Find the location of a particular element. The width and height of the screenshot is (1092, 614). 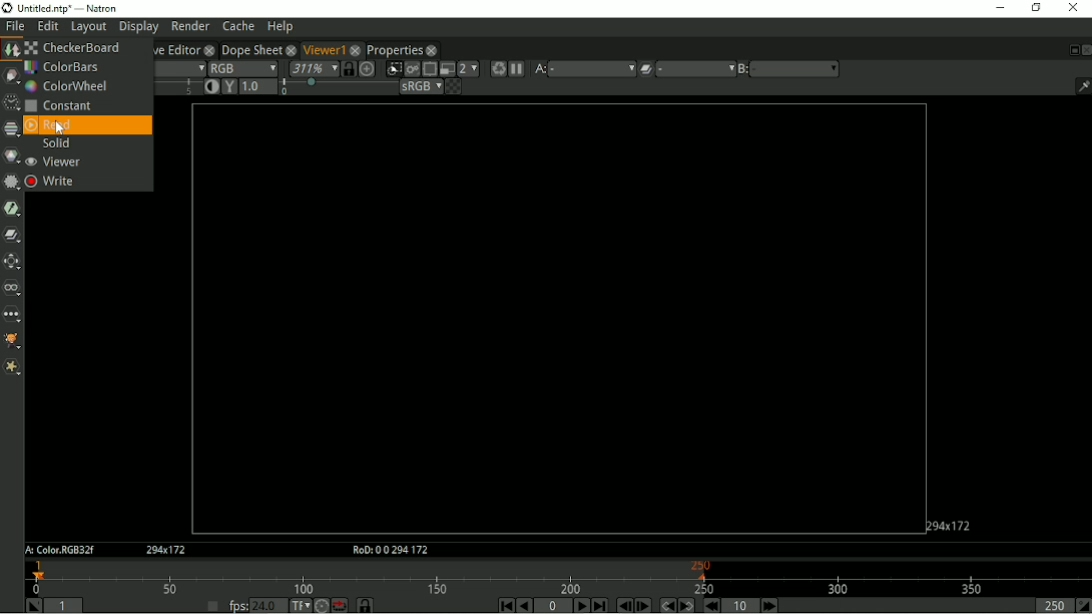

Previous frame is located at coordinates (623, 606).